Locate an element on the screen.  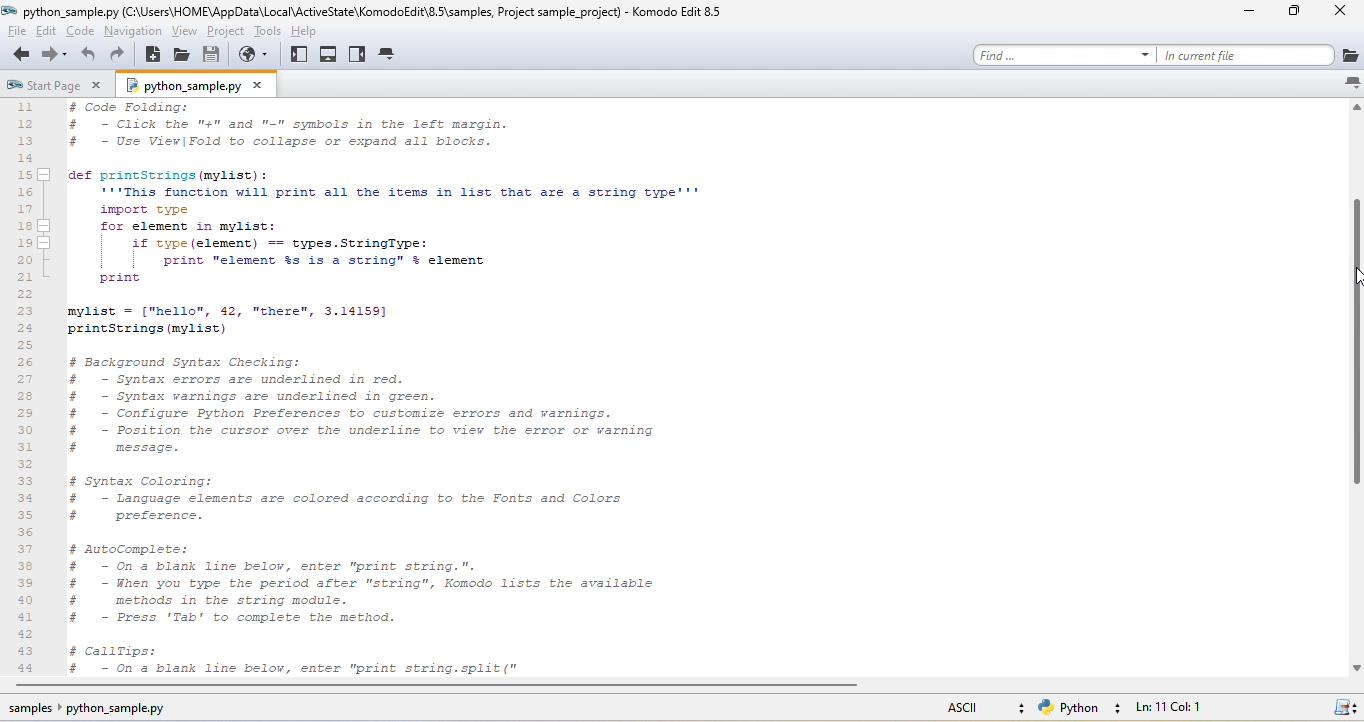
list all tabs is located at coordinates (1351, 83).